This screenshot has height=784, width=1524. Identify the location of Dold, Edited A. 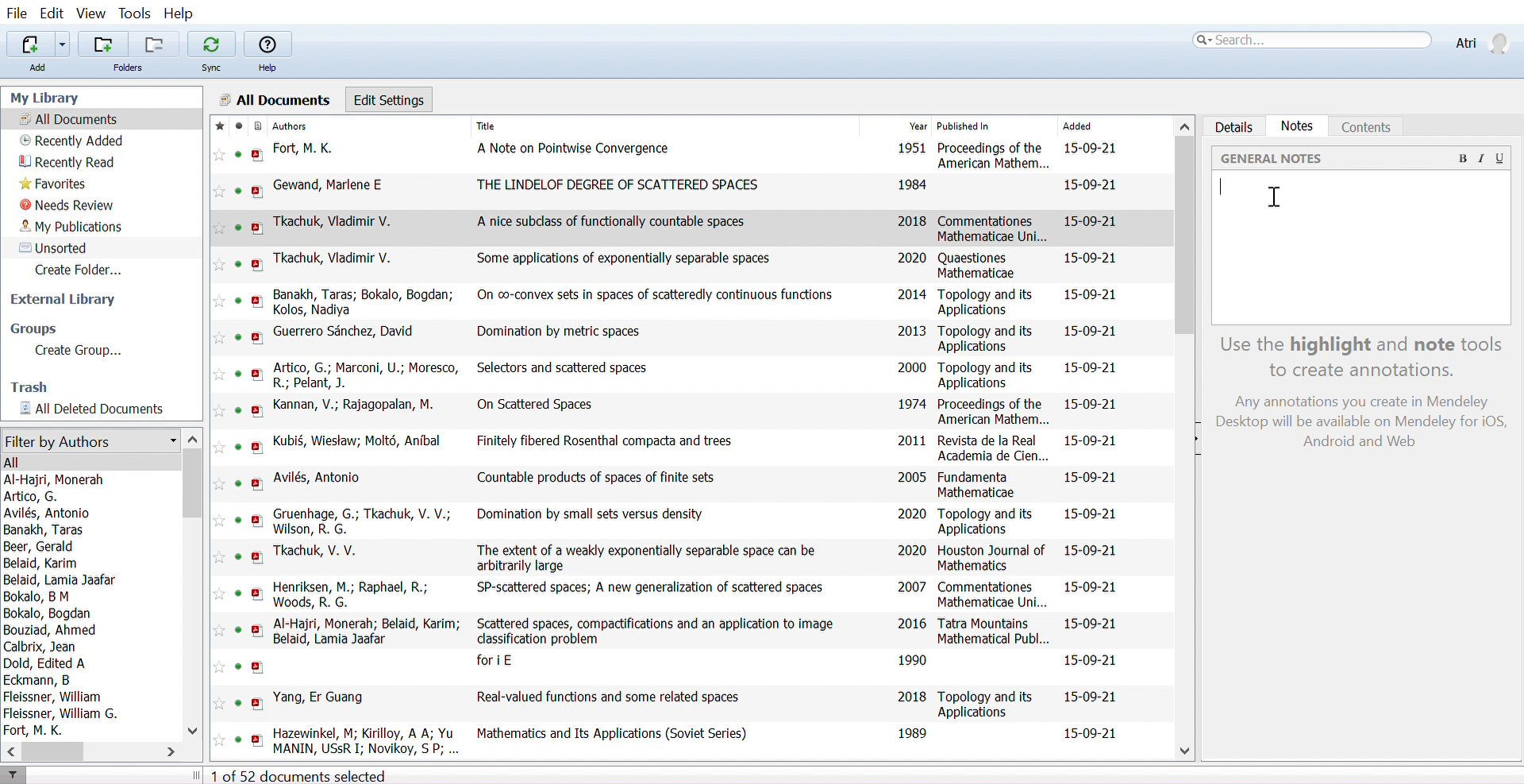
(47, 663).